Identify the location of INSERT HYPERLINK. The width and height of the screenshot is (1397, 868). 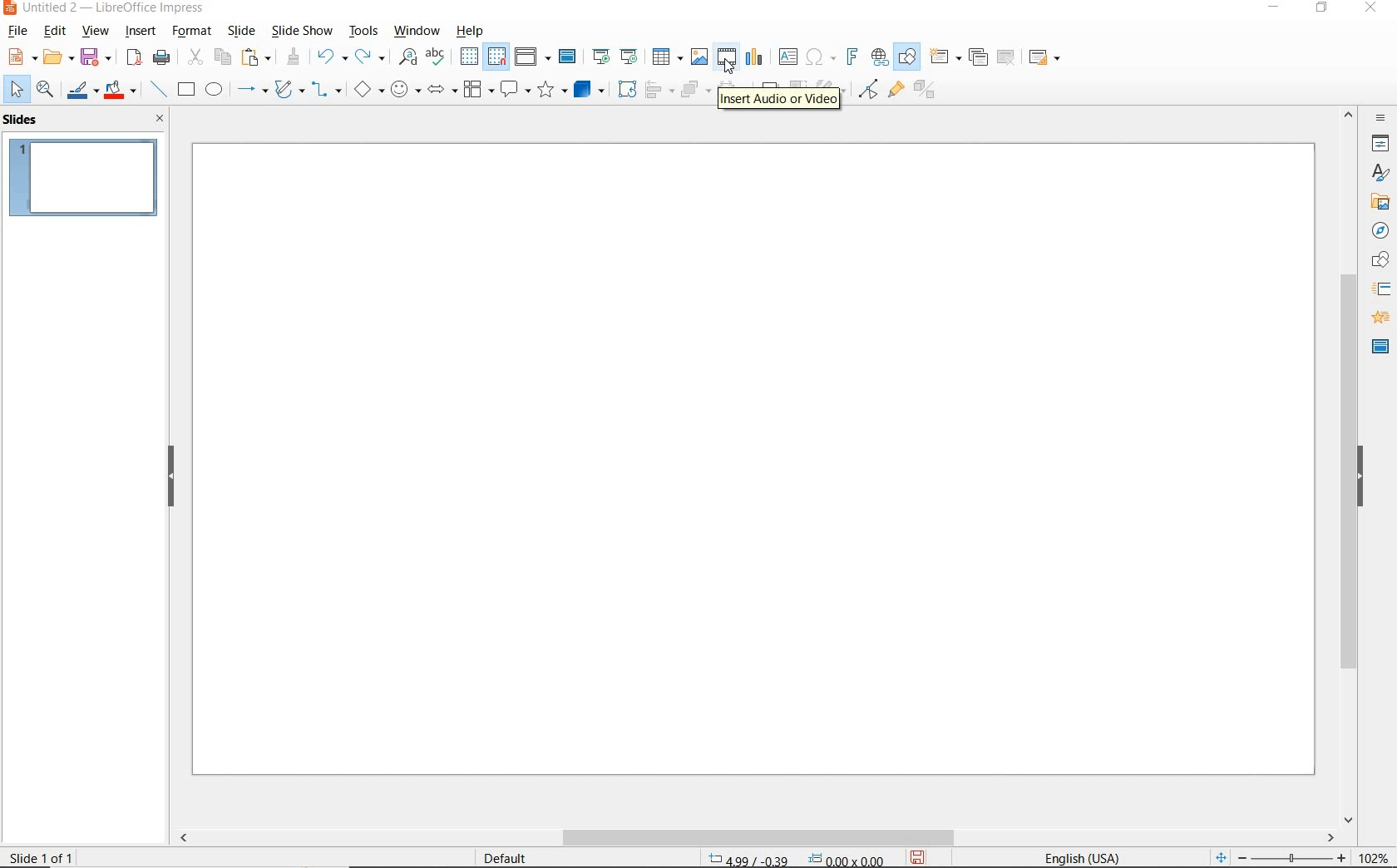
(880, 58).